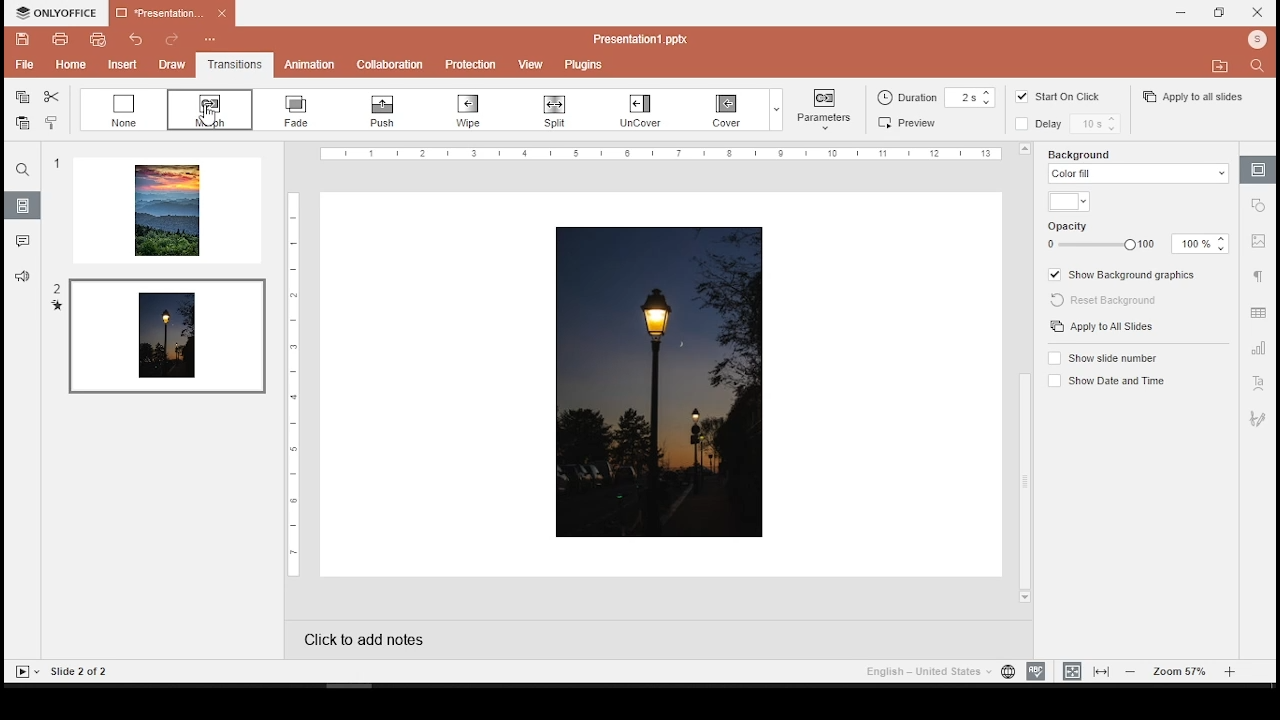 The width and height of the screenshot is (1280, 720). Describe the element at coordinates (1259, 349) in the screenshot. I see `chart settings` at that location.